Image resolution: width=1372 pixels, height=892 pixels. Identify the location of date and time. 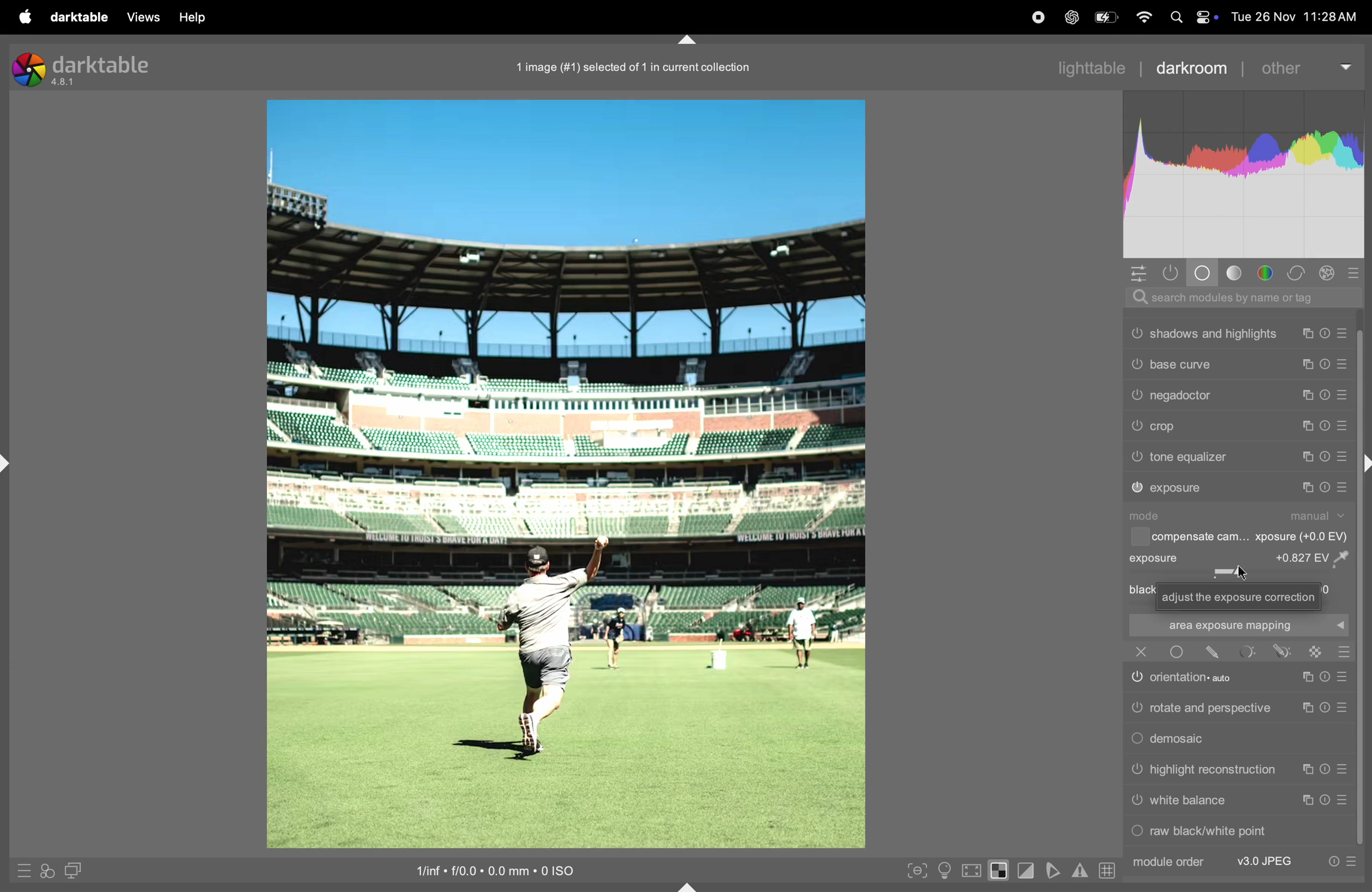
(1298, 16).